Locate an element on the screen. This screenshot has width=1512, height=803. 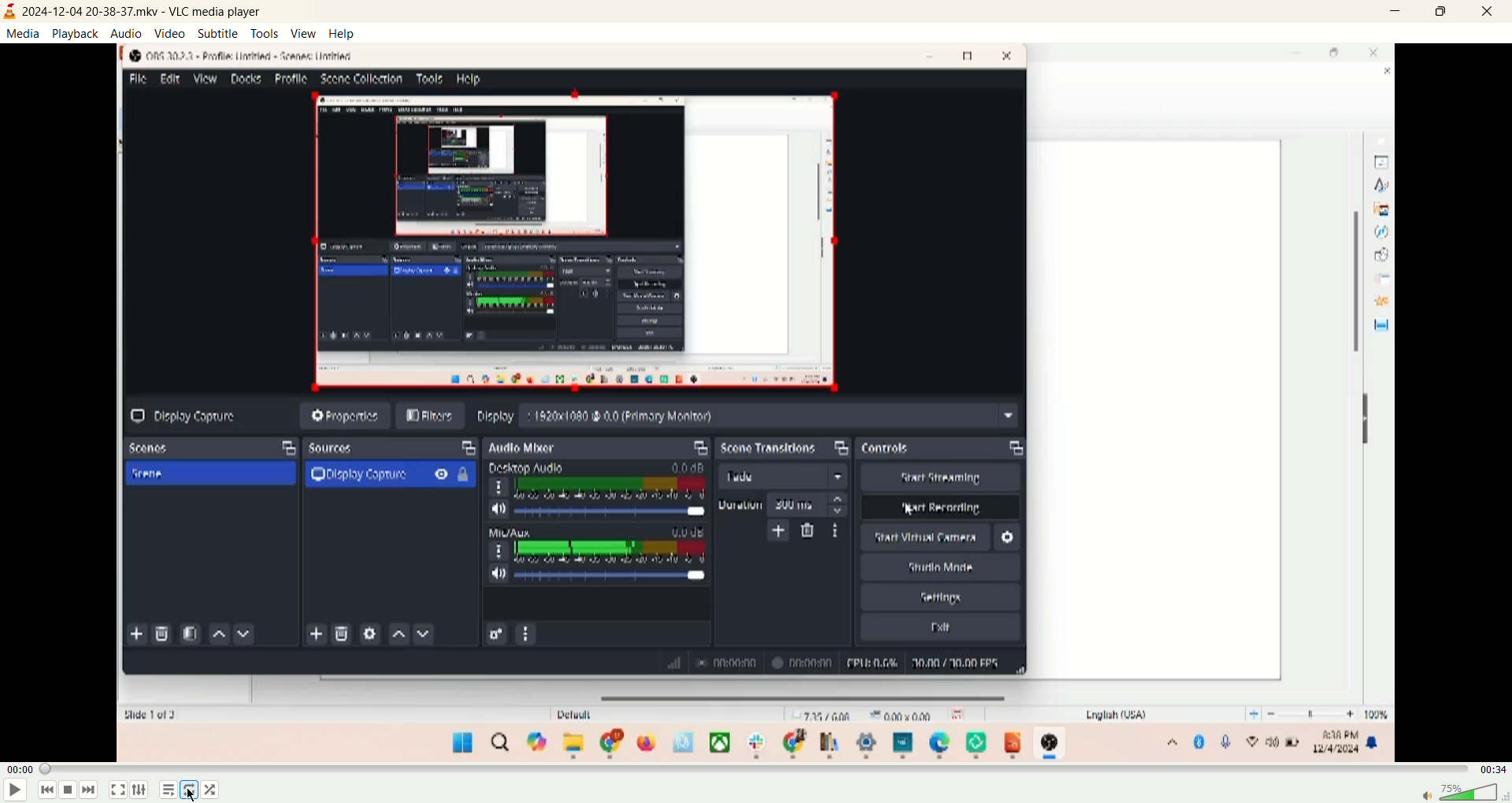
next track is located at coordinates (87, 790).